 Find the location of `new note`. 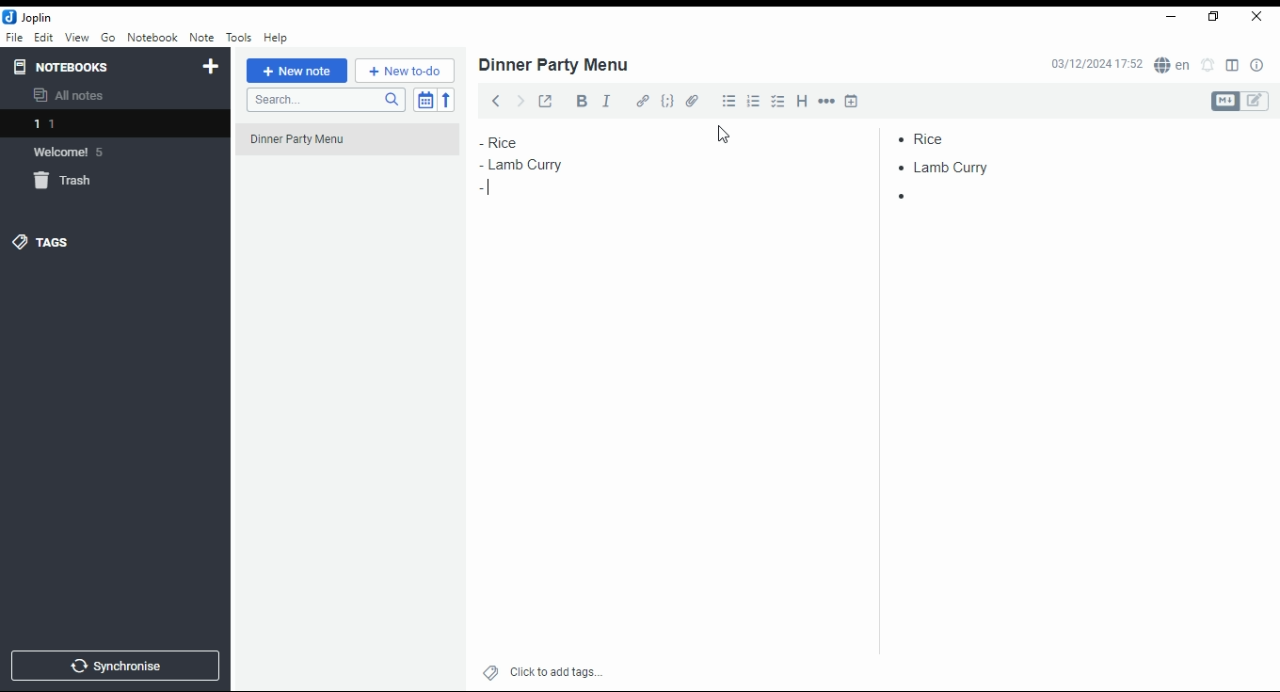

new note is located at coordinates (296, 71).